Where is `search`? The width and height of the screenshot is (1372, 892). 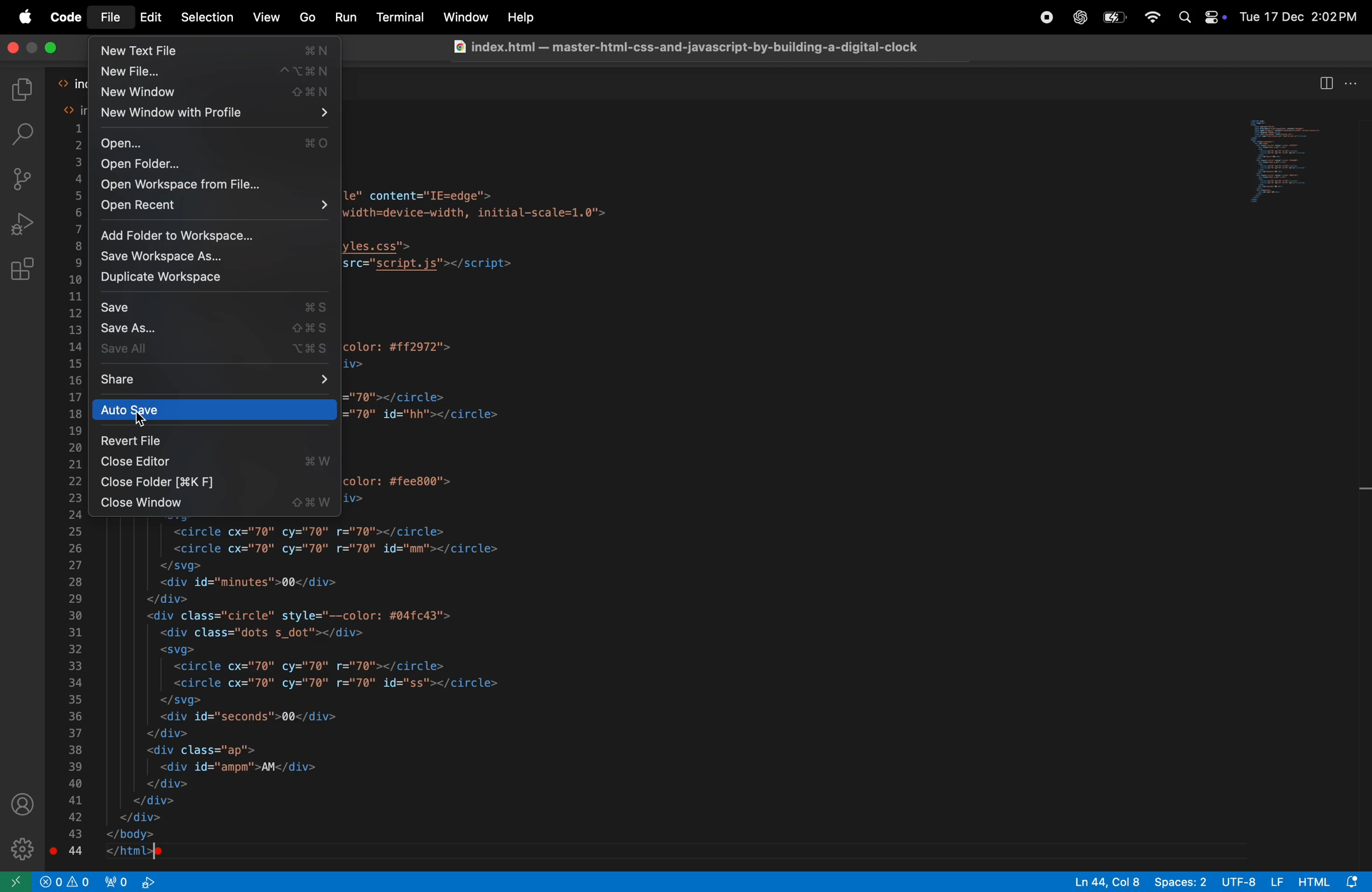 search is located at coordinates (1185, 20).